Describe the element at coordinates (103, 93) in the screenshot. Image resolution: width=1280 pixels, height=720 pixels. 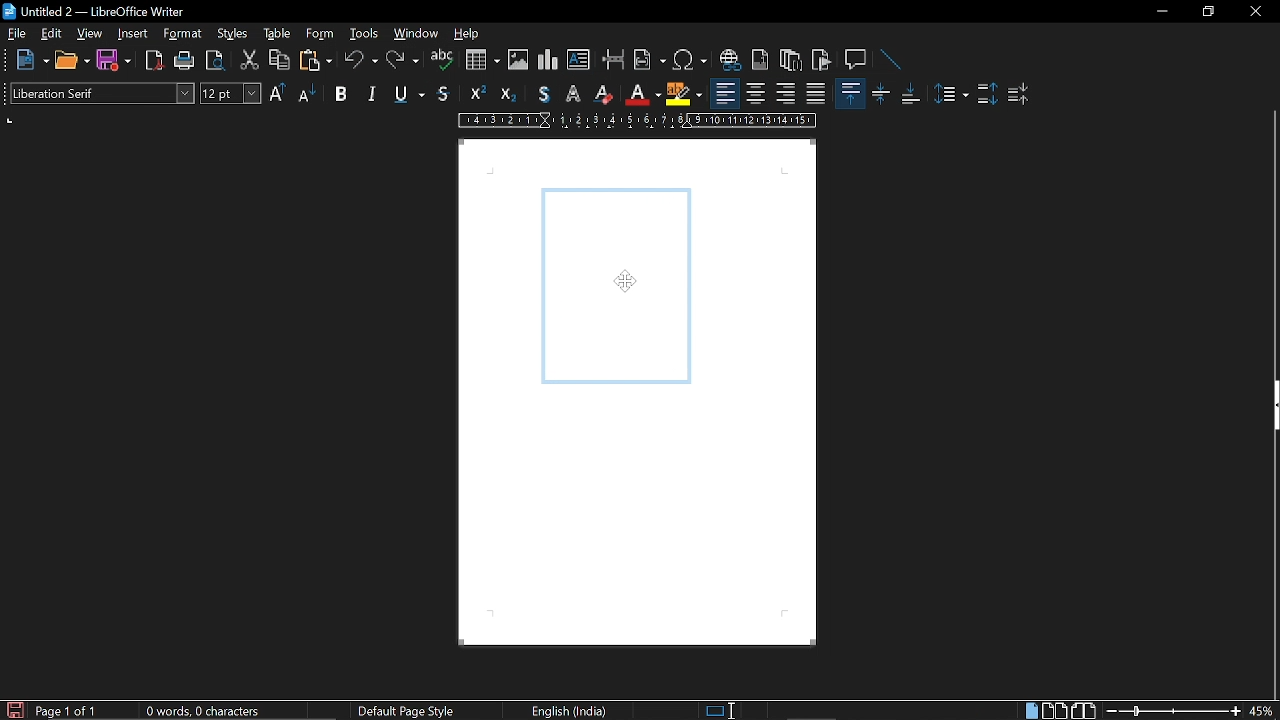
I see `text style` at that location.